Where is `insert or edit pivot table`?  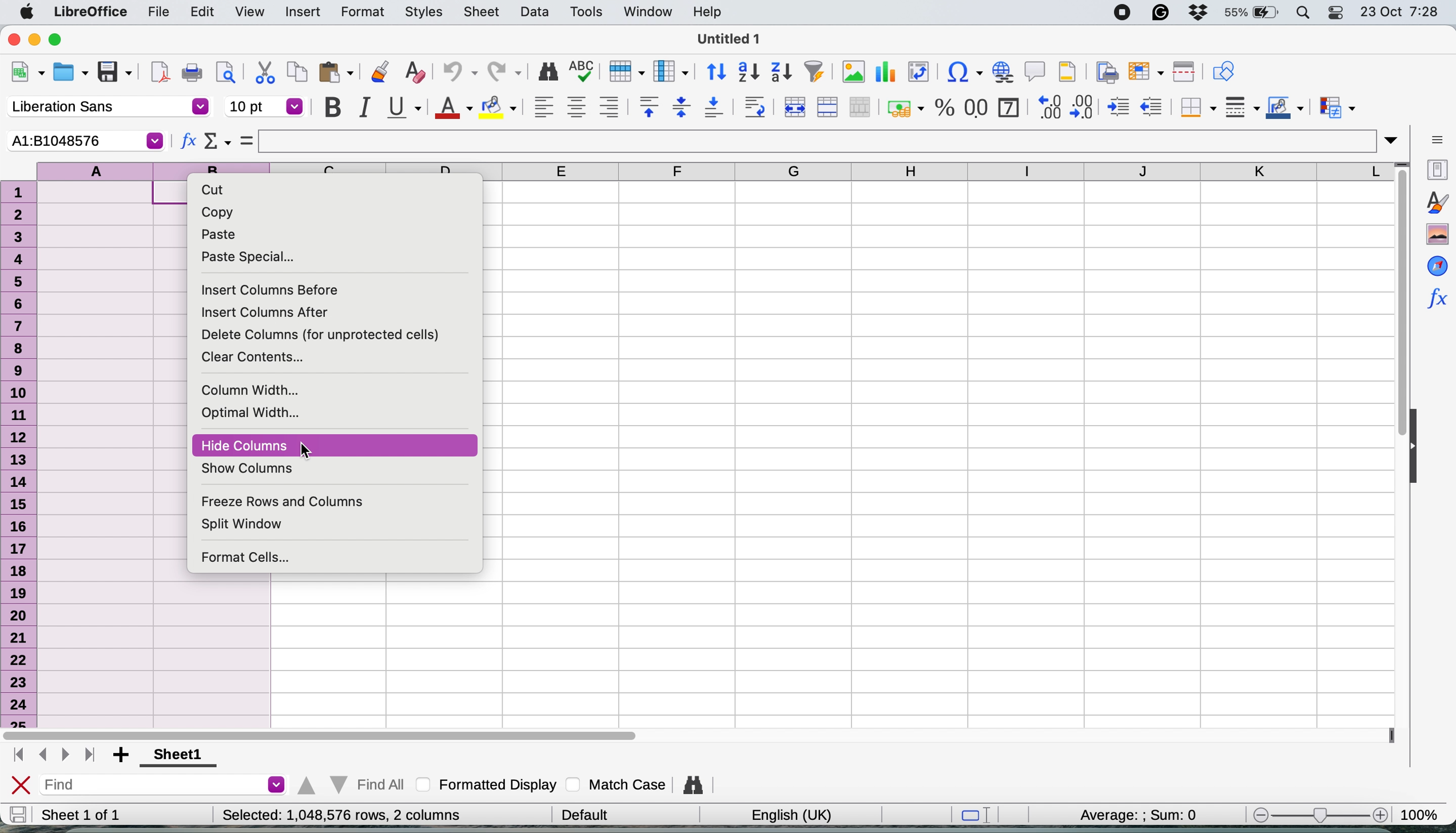
insert or edit pivot table is located at coordinates (920, 73).